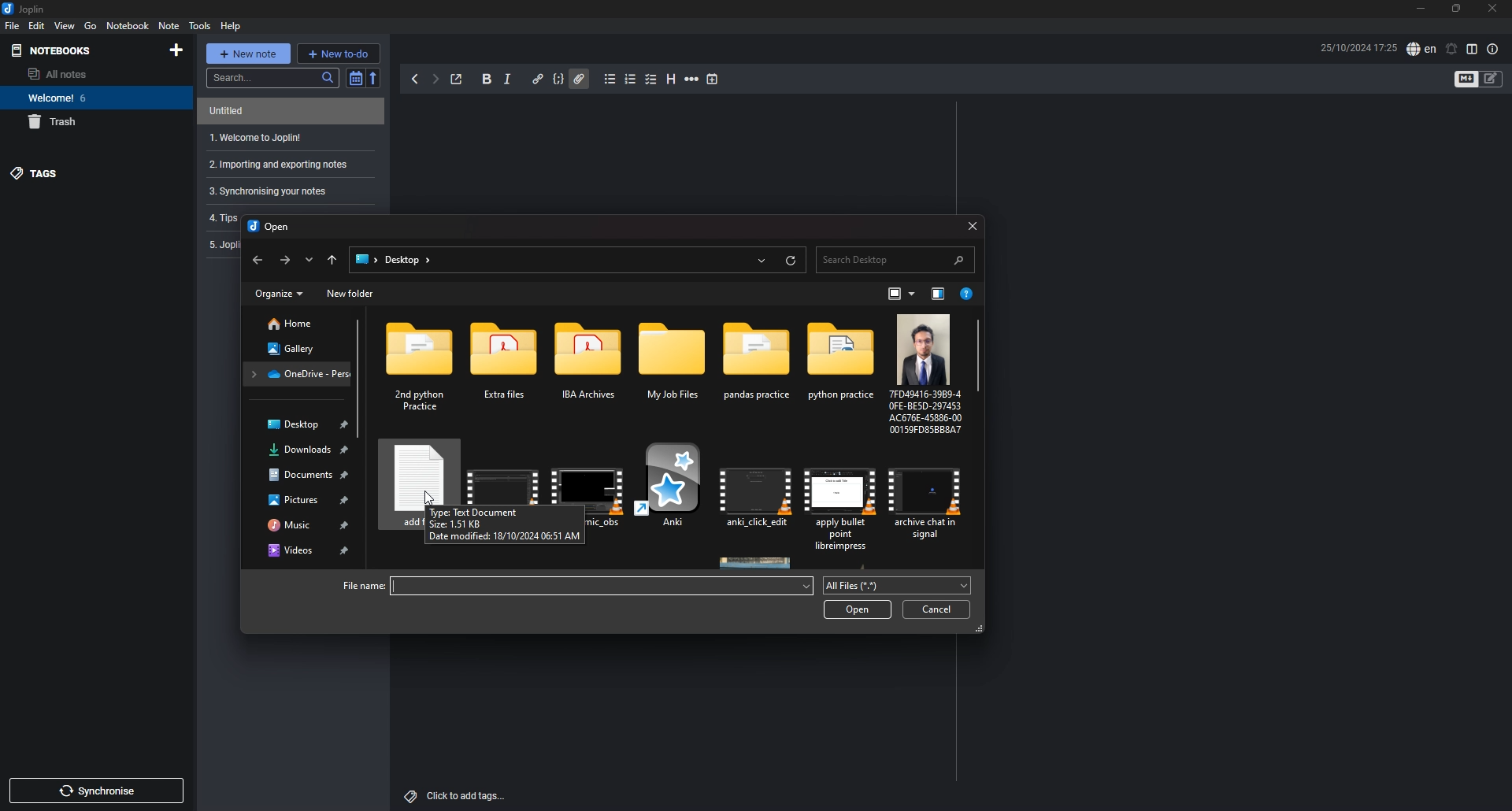  Describe the element at coordinates (692, 80) in the screenshot. I see `horizontal rule` at that location.